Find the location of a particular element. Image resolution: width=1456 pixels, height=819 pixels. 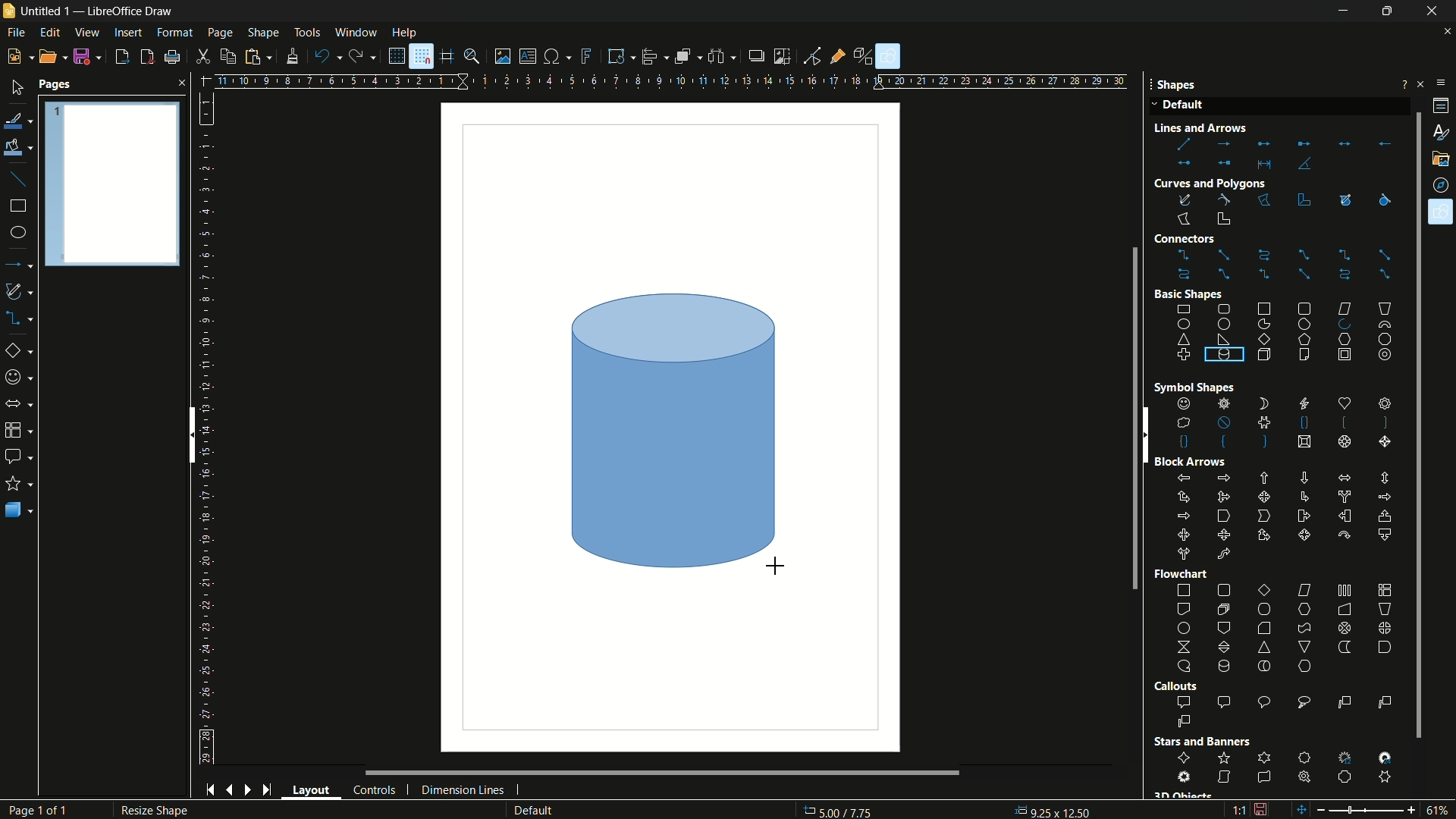

export directly as pdf is located at coordinates (147, 56).